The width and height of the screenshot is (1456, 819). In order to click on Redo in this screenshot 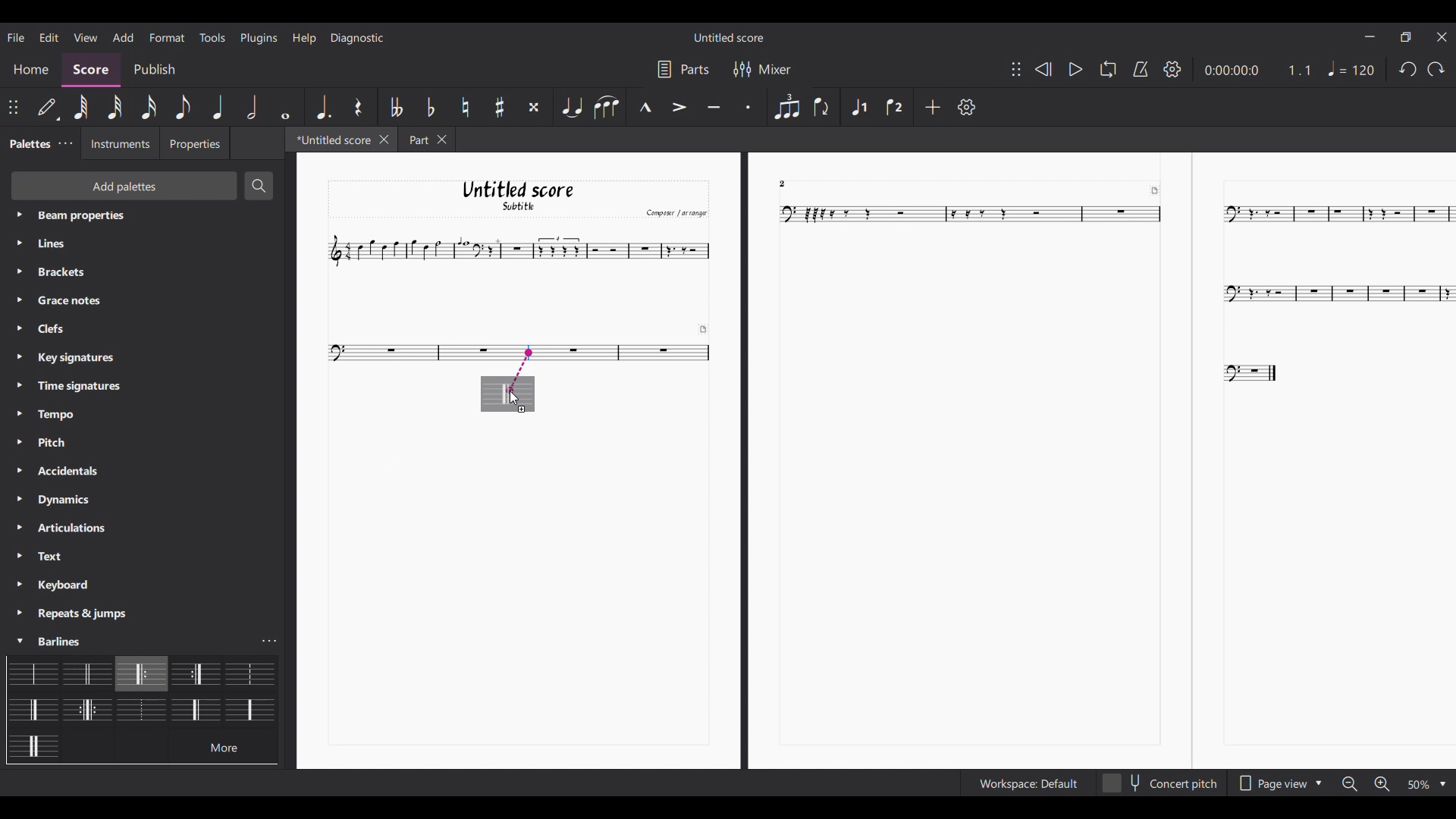, I will do `click(1436, 69)`.